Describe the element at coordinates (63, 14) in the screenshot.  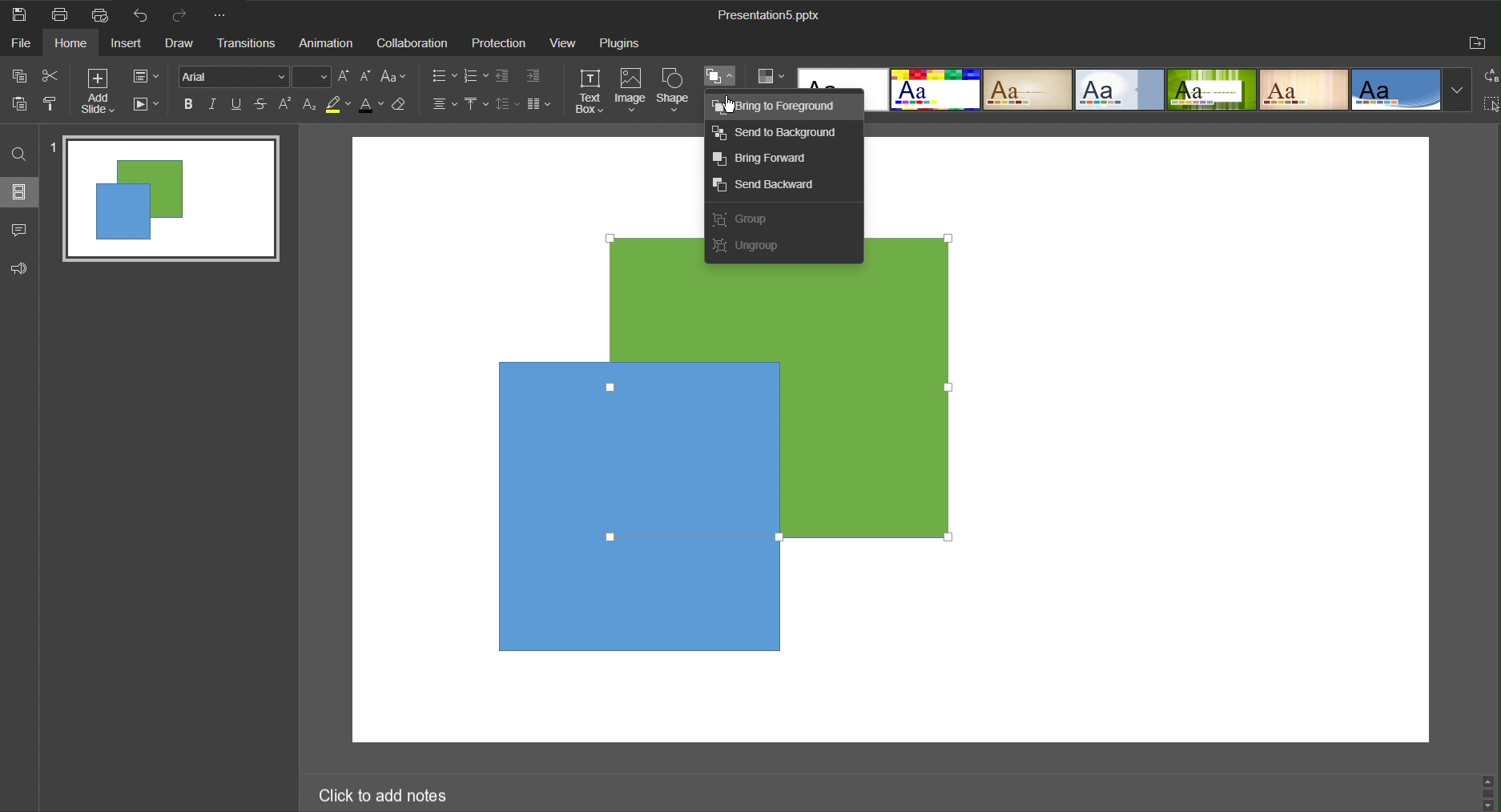
I see `Print` at that location.